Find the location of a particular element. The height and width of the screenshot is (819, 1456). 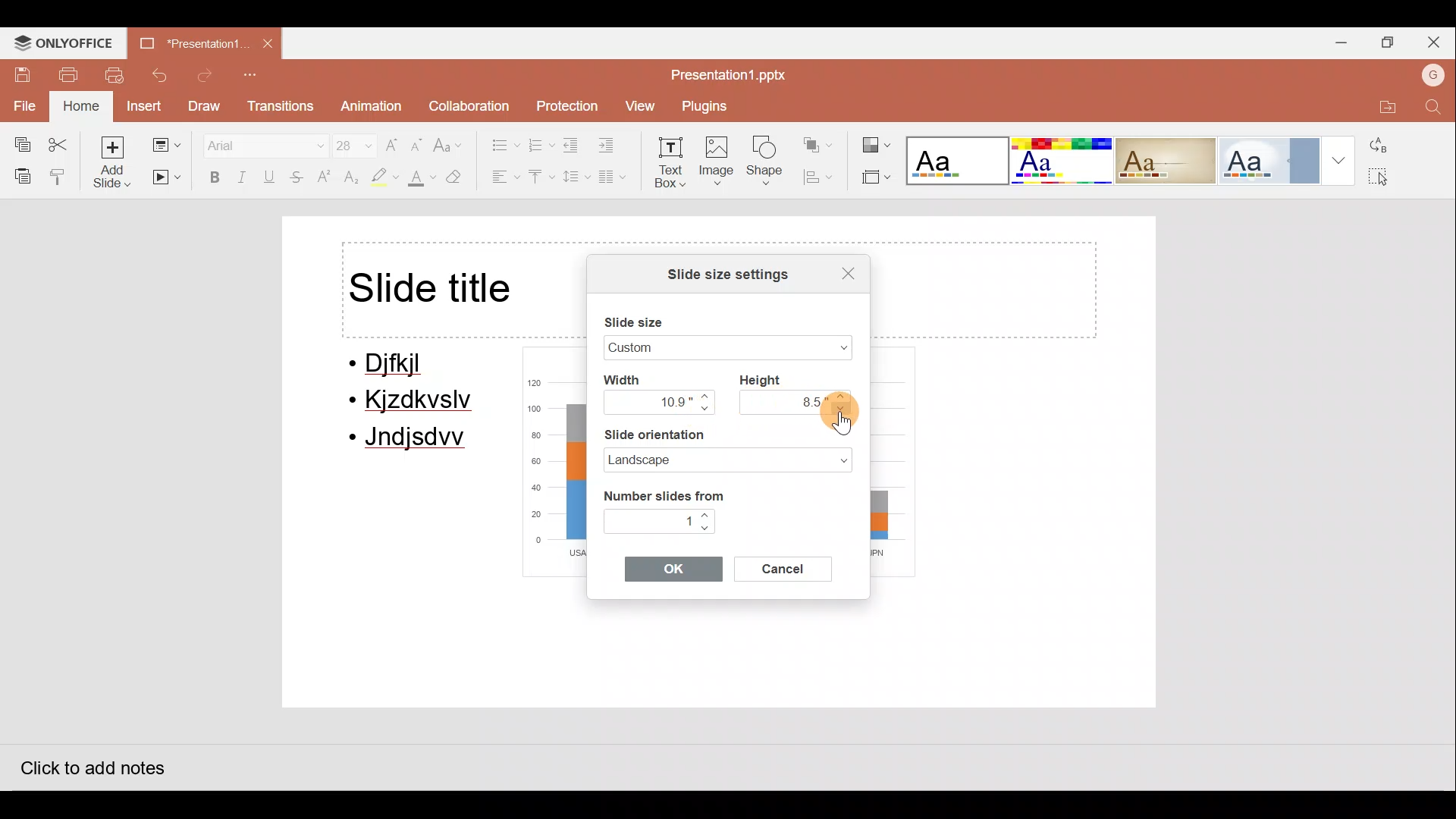

Text box is located at coordinates (672, 165).